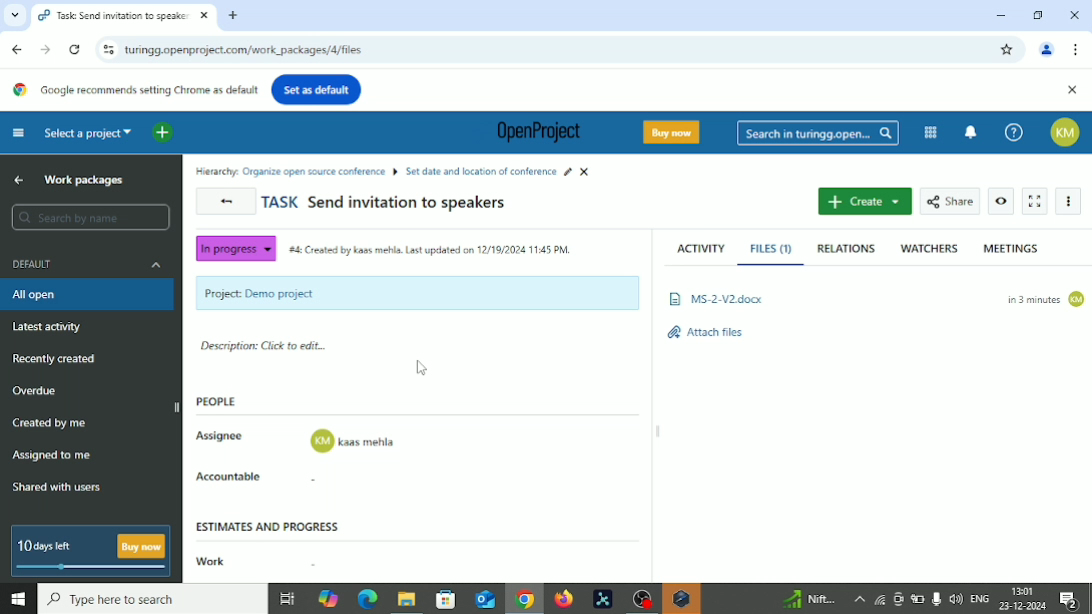 The height and width of the screenshot is (614, 1092). What do you see at coordinates (223, 434) in the screenshot?
I see `Assignee` at bounding box center [223, 434].